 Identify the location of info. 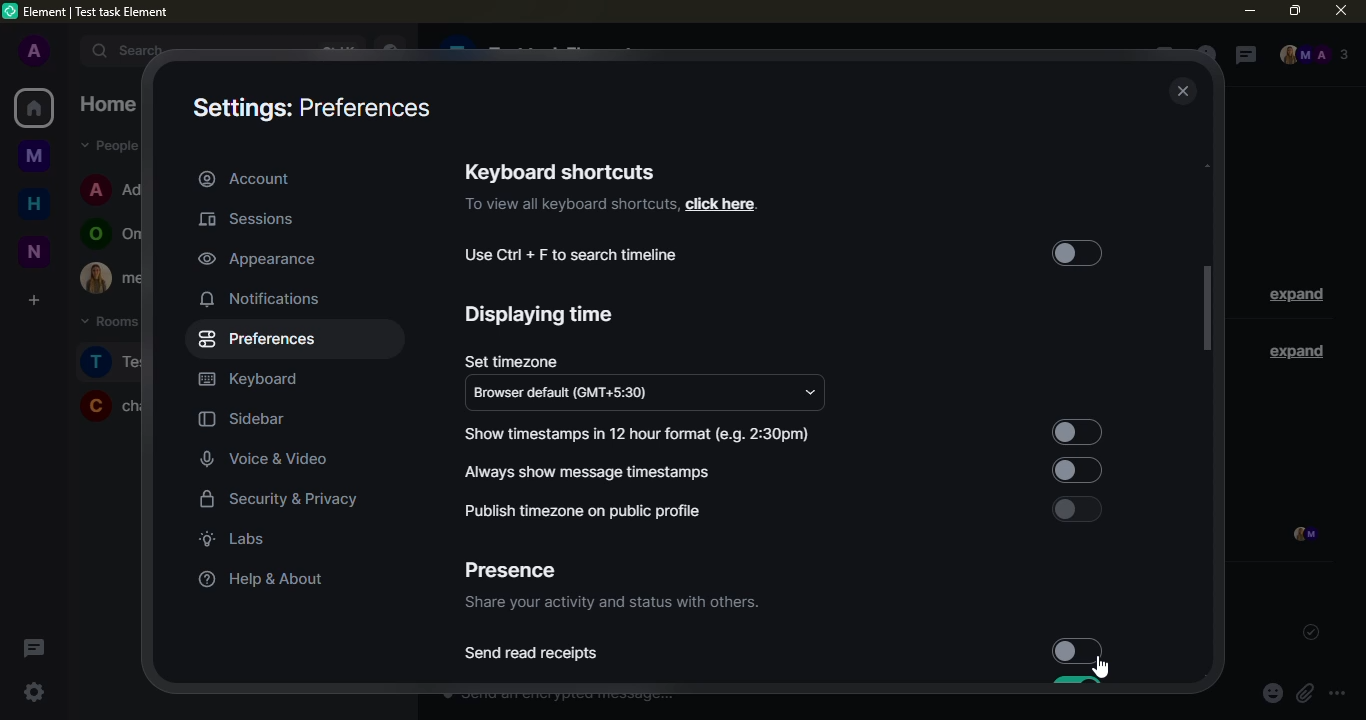
(570, 205).